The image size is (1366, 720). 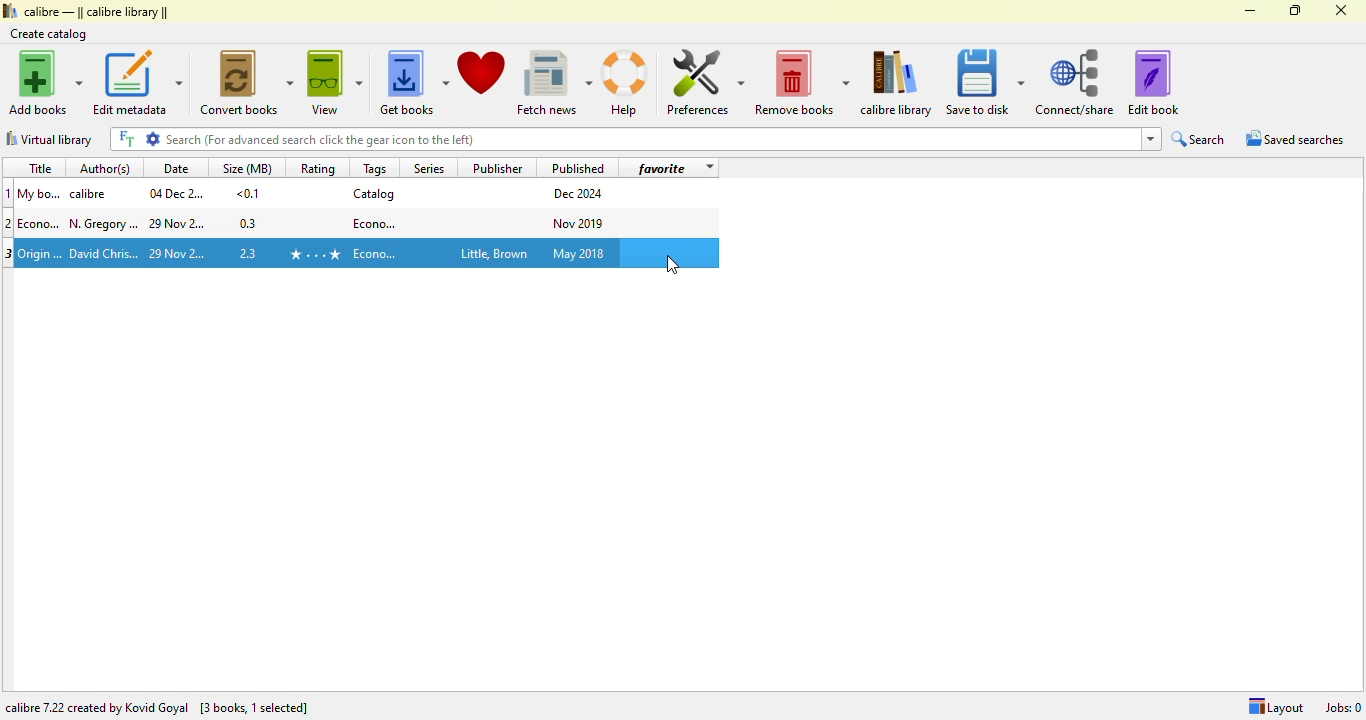 I want to click on author(s), so click(x=108, y=167).